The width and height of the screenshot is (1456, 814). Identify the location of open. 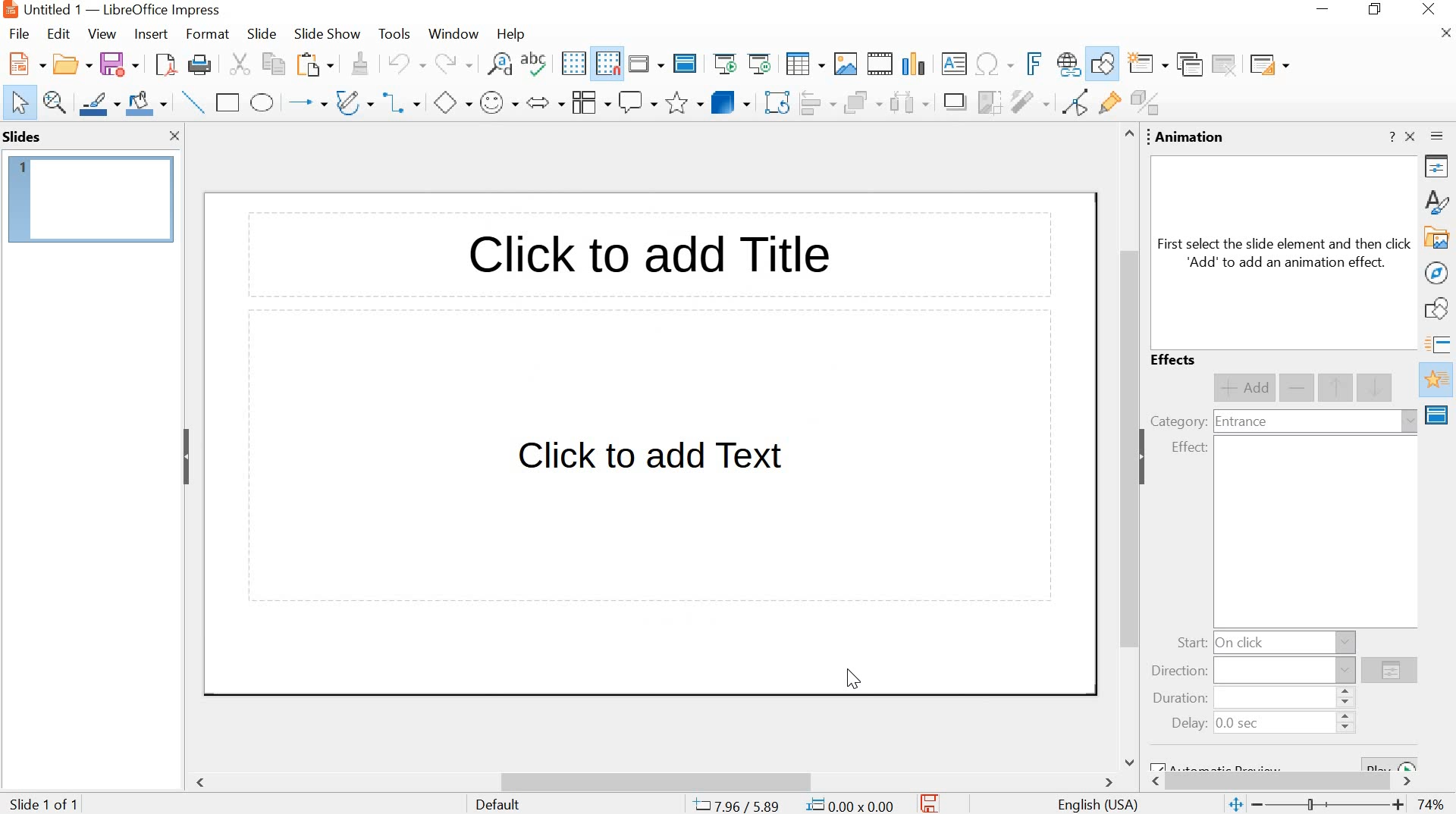
(70, 65).